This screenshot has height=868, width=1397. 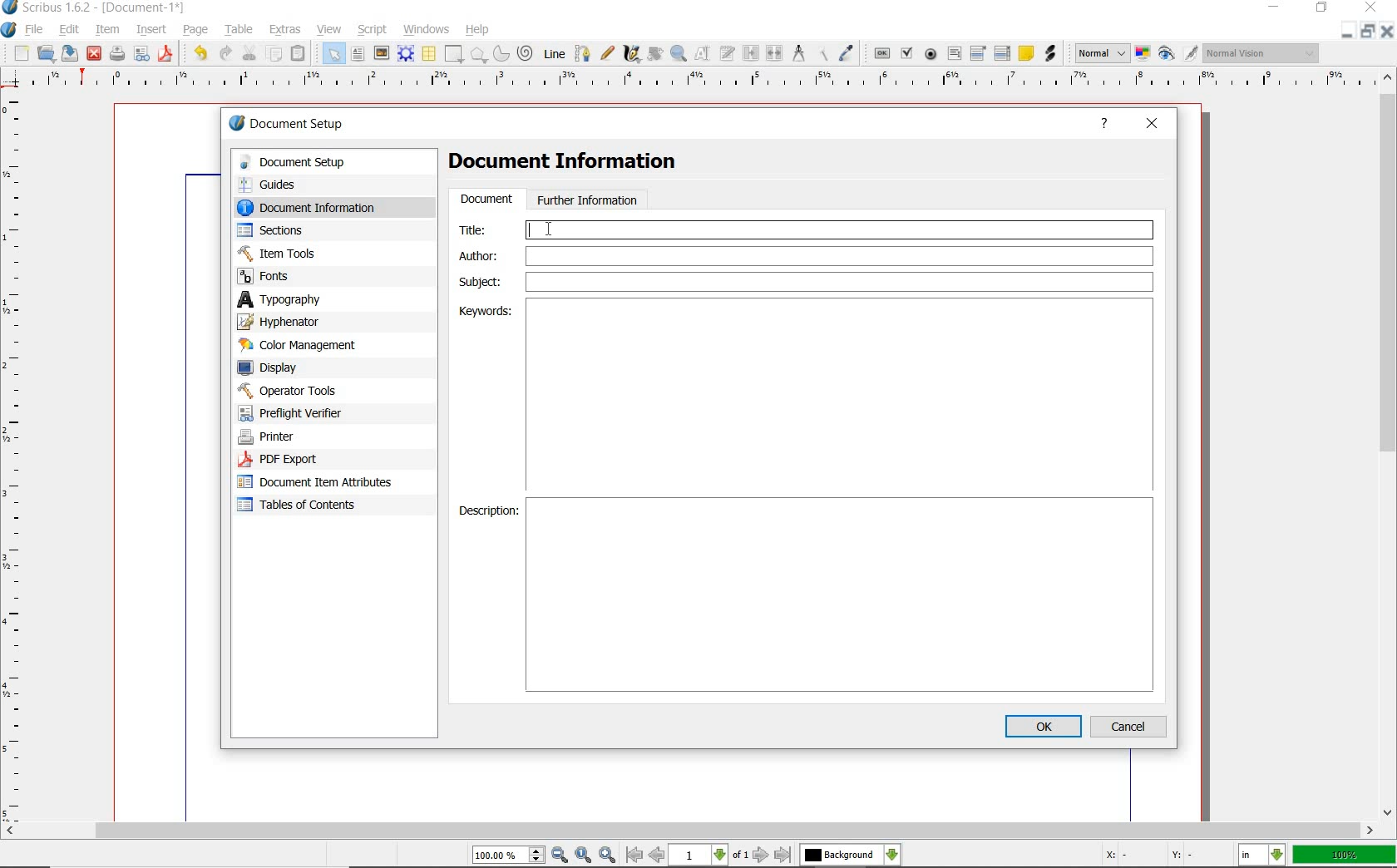 What do you see at coordinates (358, 54) in the screenshot?
I see `text frame` at bounding box center [358, 54].